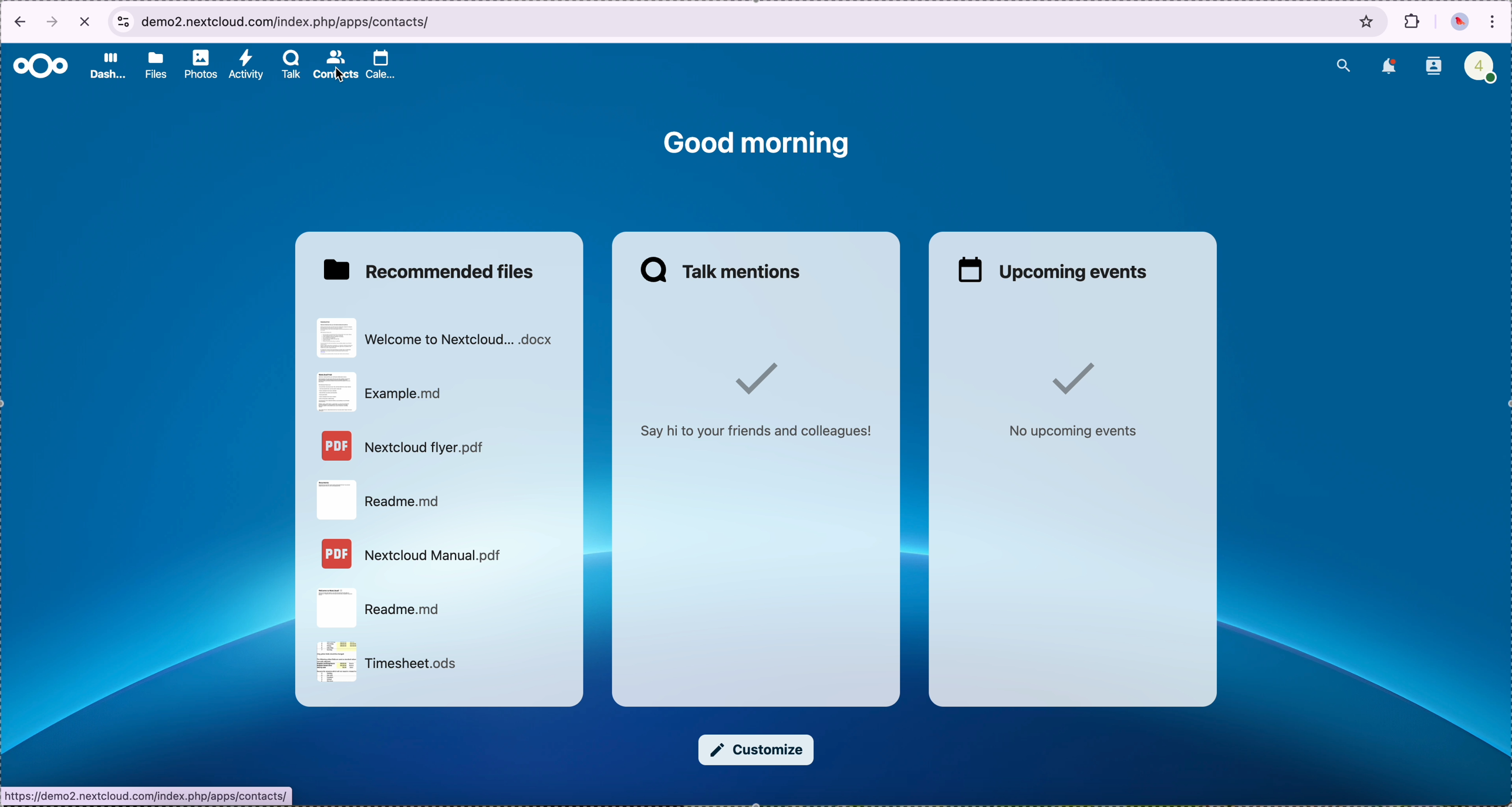 The height and width of the screenshot is (807, 1512). I want to click on no upcoming events, so click(1077, 401).